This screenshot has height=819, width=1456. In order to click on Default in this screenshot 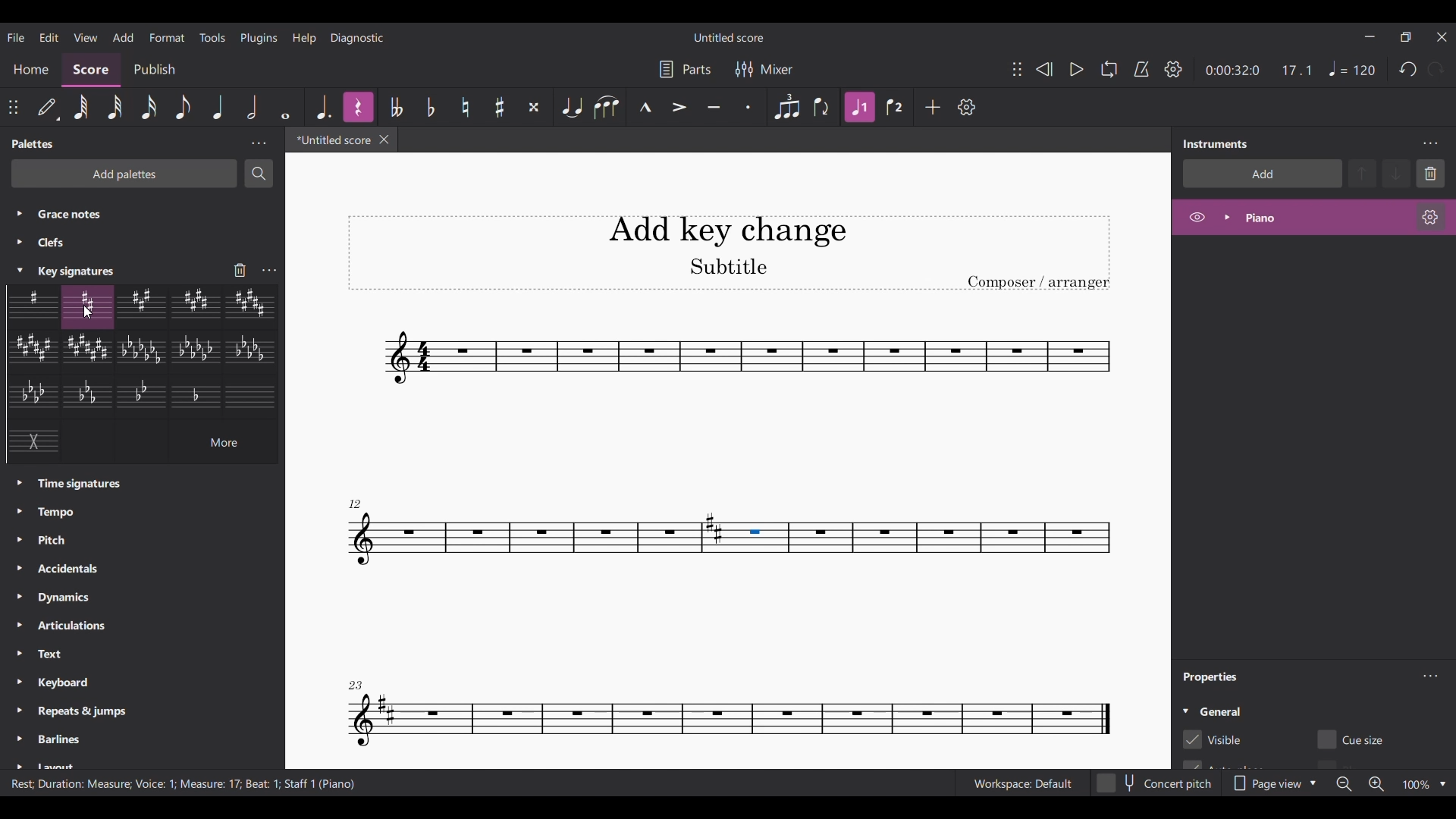, I will do `click(48, 105)`.